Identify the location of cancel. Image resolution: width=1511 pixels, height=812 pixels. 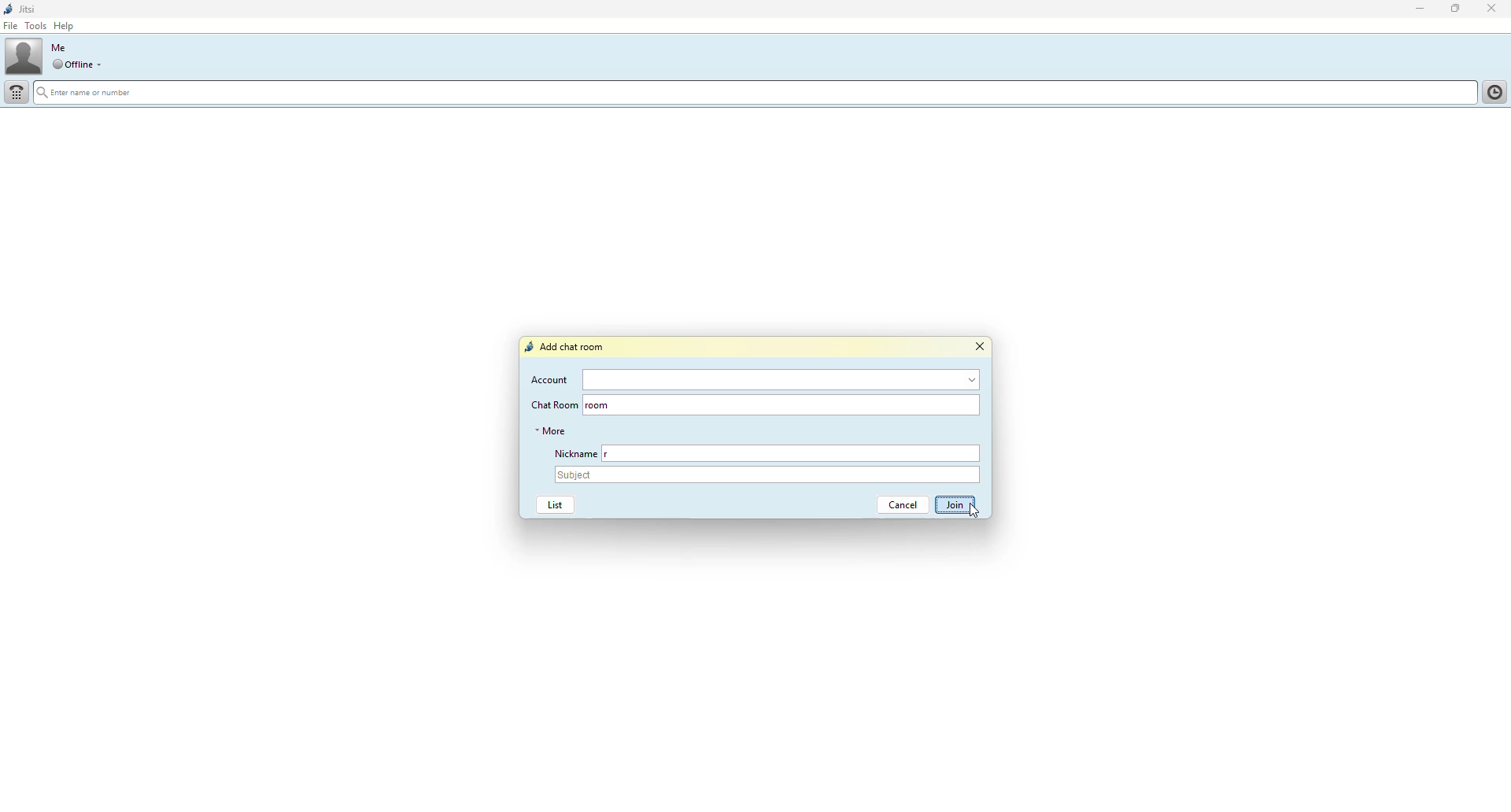
(897, 505).